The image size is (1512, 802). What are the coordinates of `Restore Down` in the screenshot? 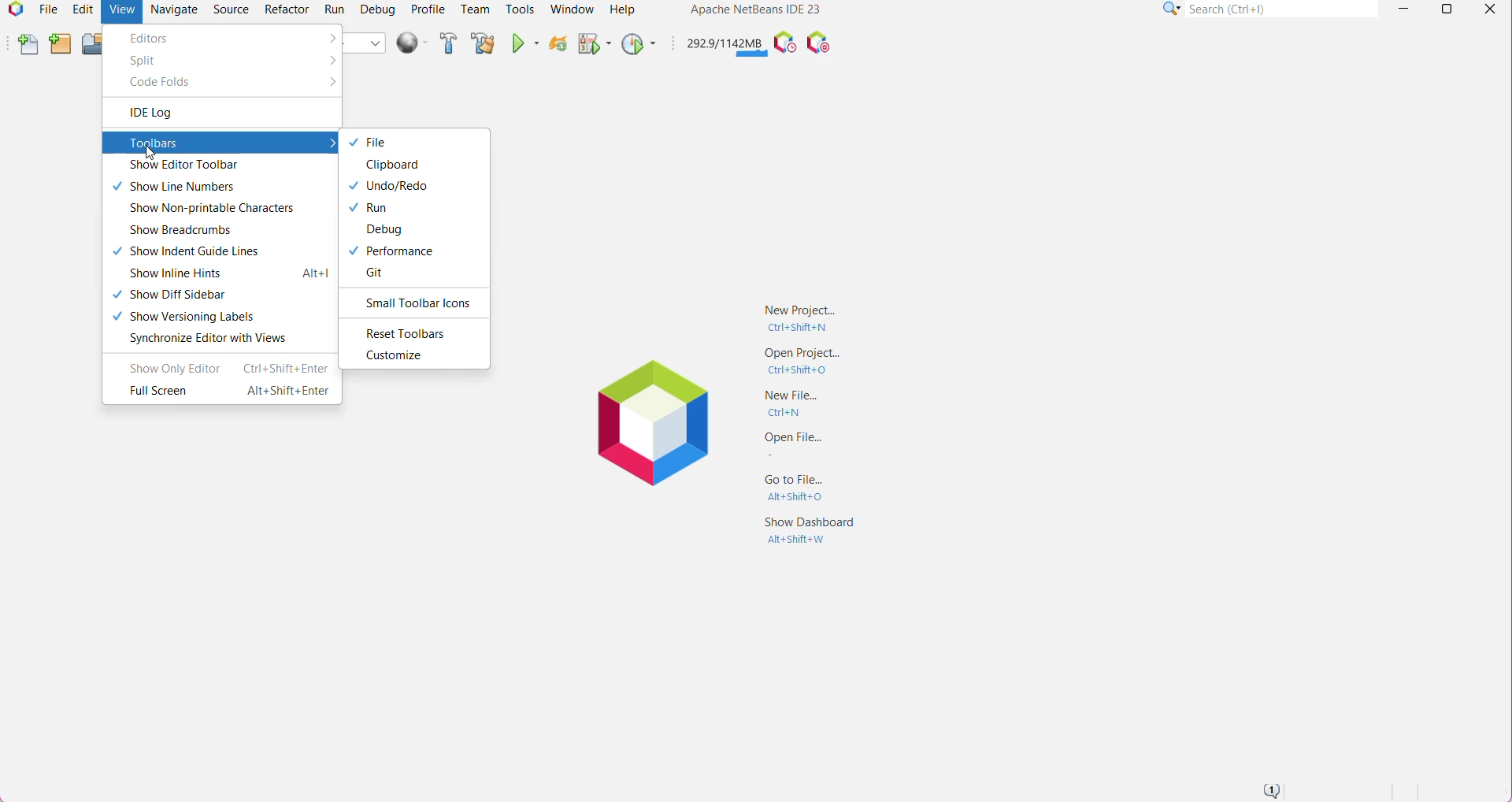 It's located at (1444, 9).